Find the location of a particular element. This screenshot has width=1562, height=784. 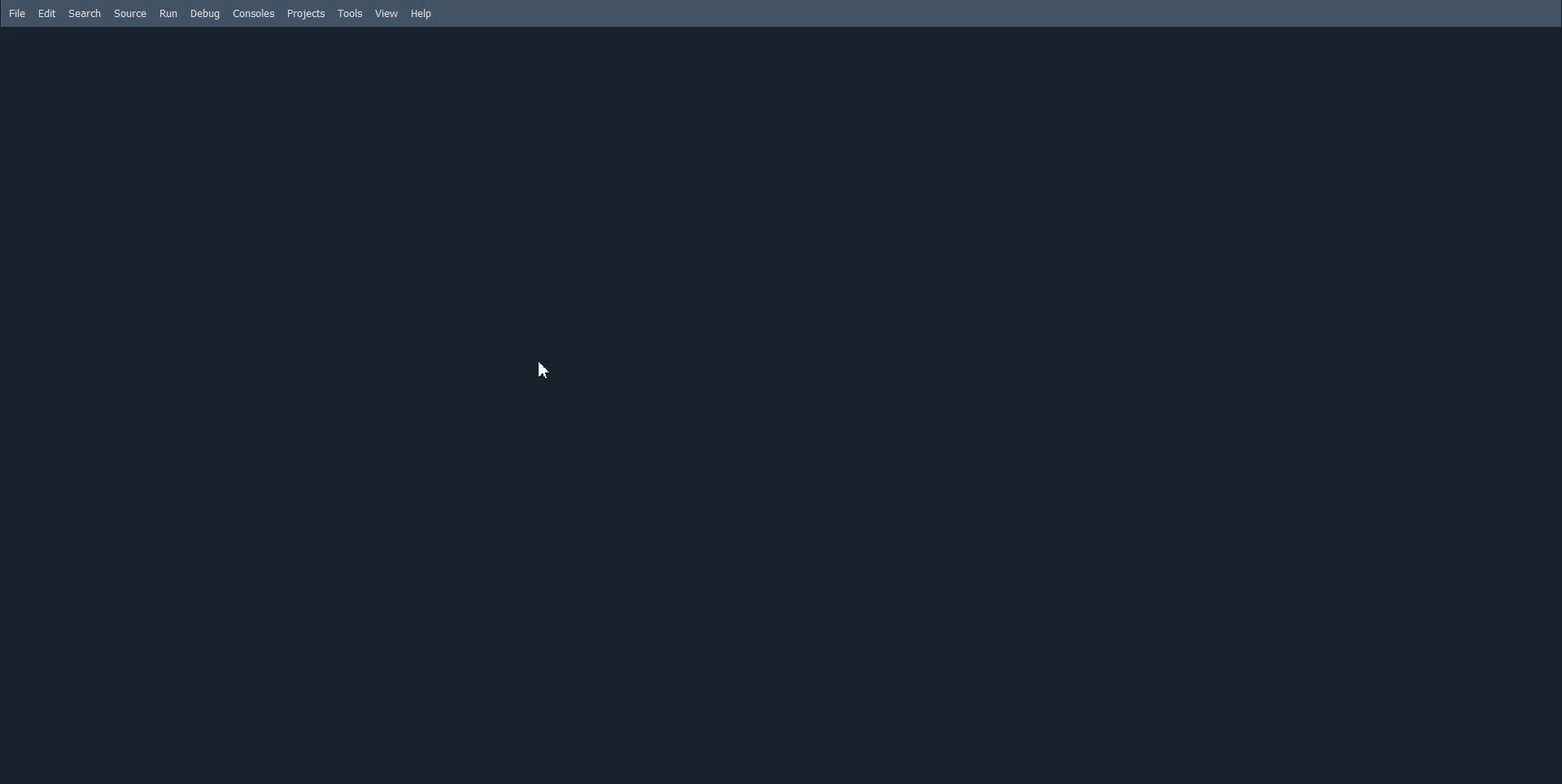

Search is located at coordinates (85, 14).